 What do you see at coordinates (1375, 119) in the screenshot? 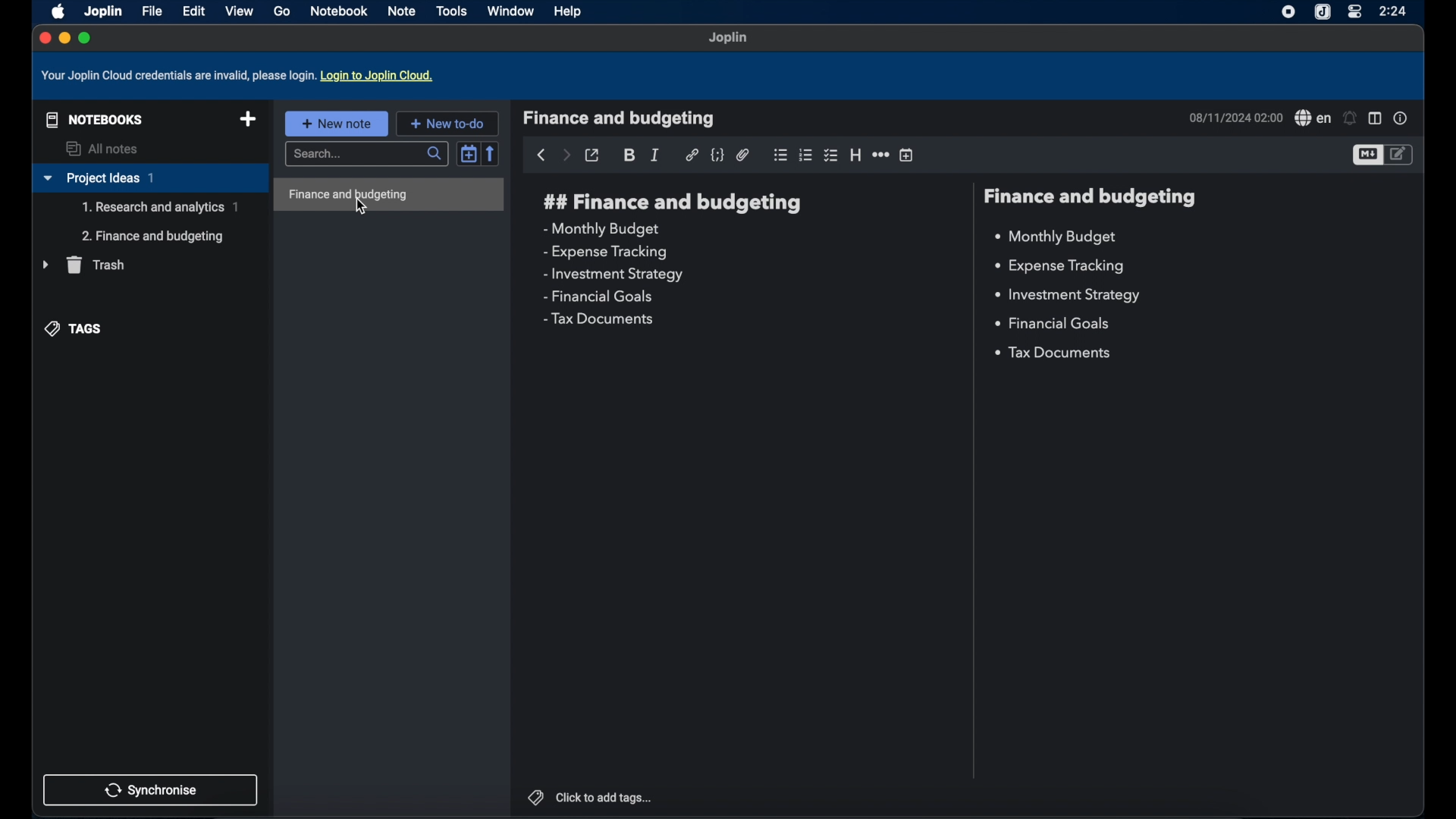
I see `toggle editor layout` at bounding box center [1375, 119].